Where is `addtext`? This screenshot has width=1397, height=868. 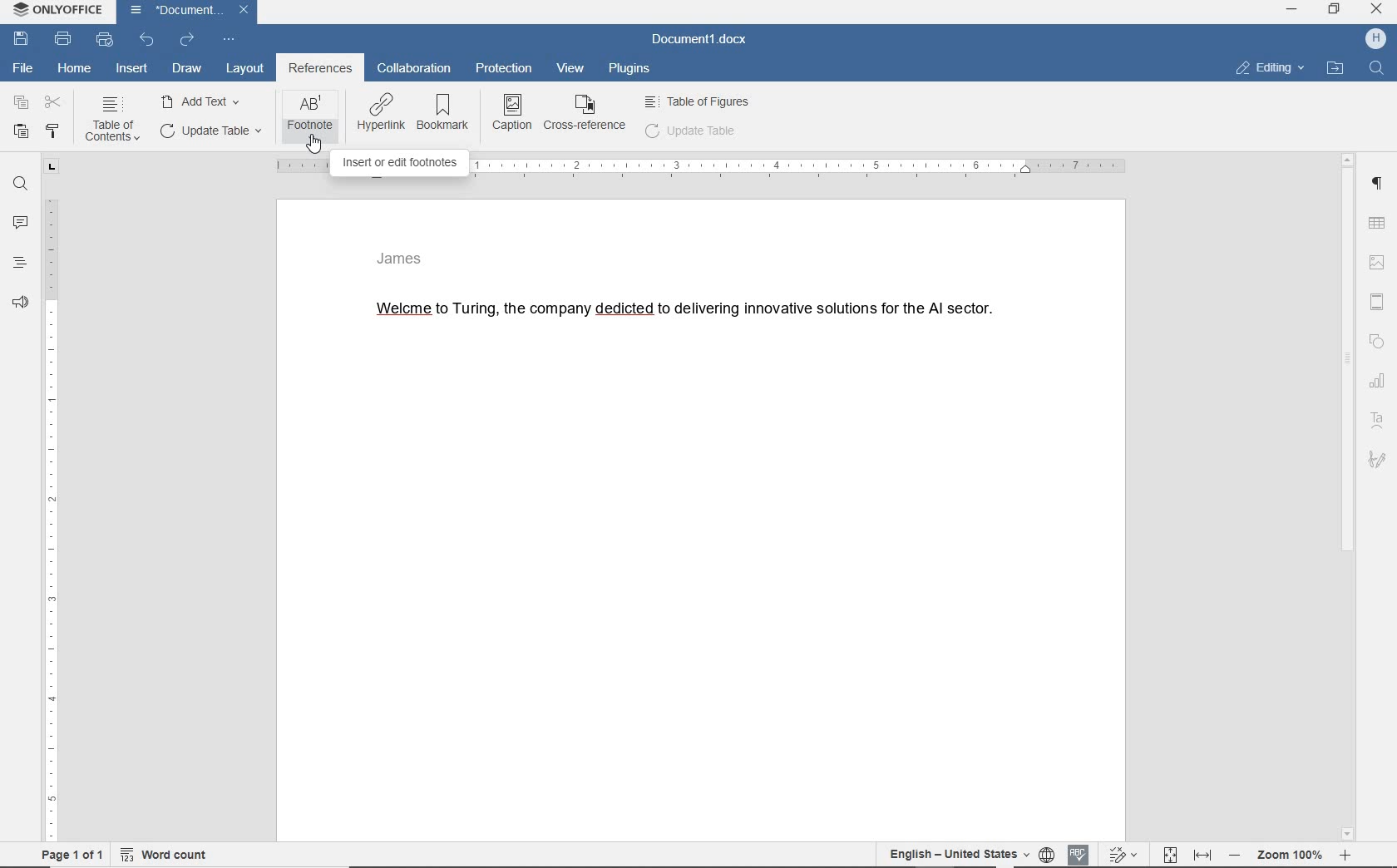
addtext is located at coordinates (202, 101).